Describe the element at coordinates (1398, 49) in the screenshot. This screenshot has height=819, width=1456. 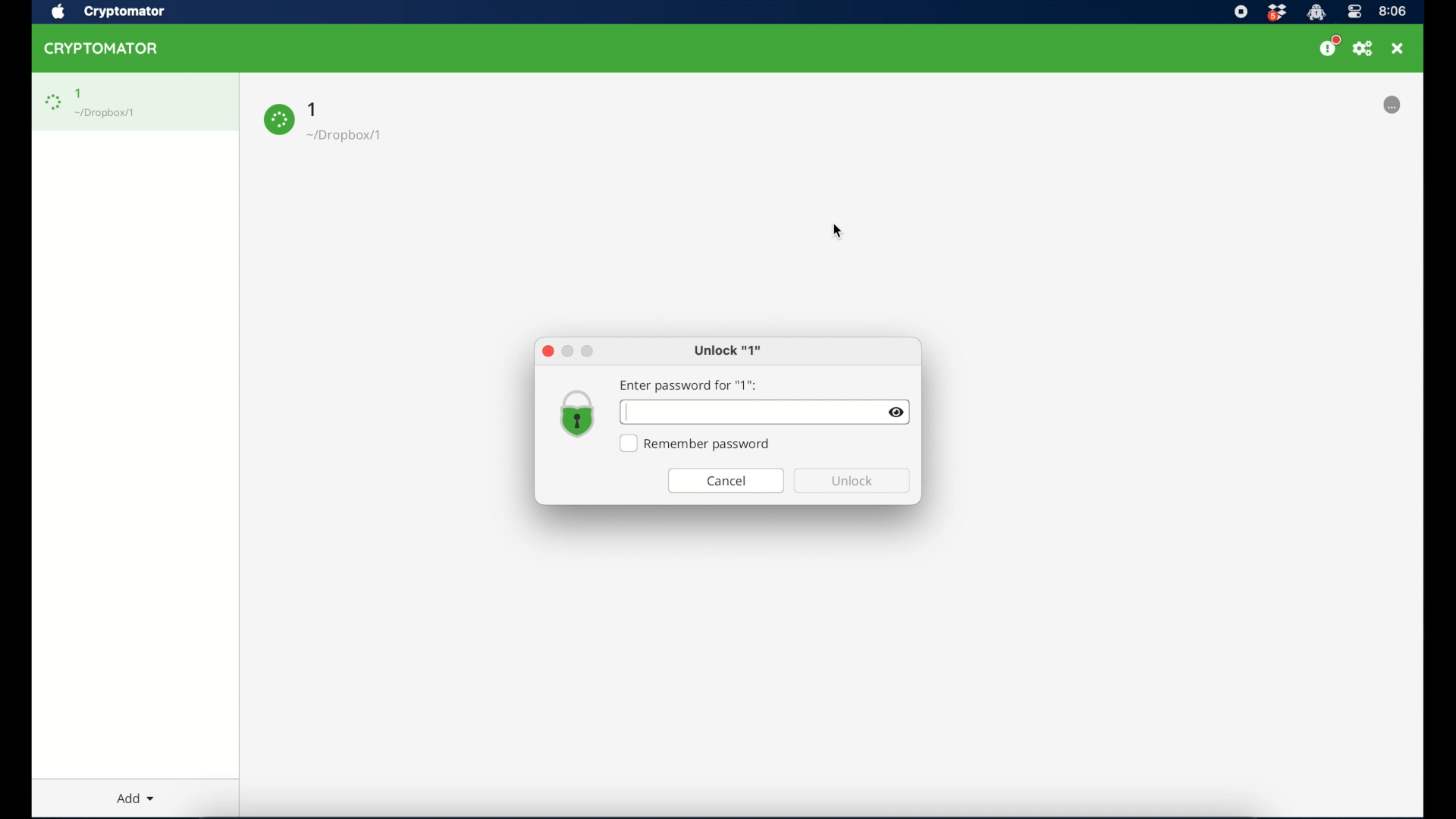
I see `close` at that location.